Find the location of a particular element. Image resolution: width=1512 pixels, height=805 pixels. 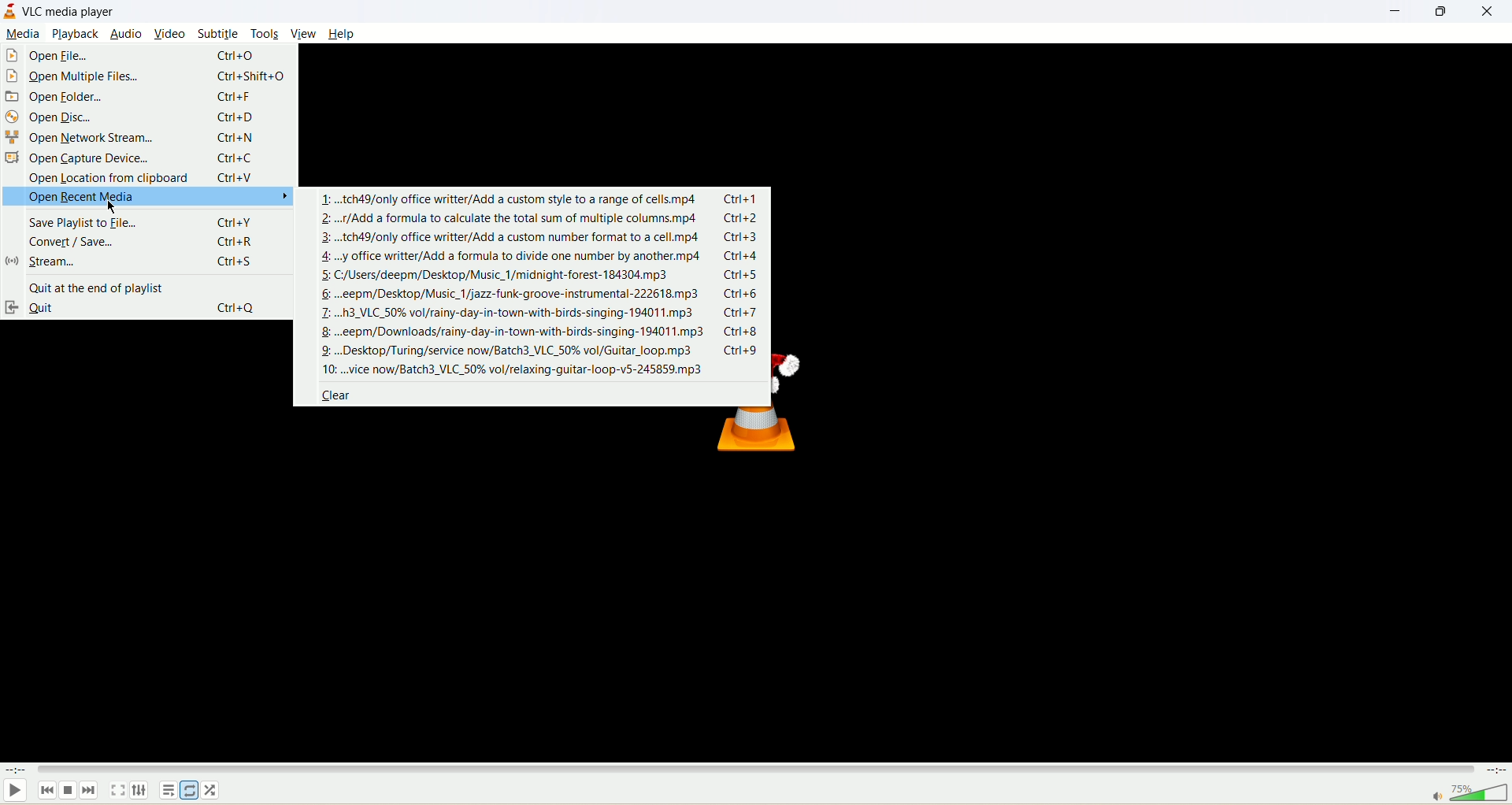

ctrl+8 is located at coordinates (744, 332).